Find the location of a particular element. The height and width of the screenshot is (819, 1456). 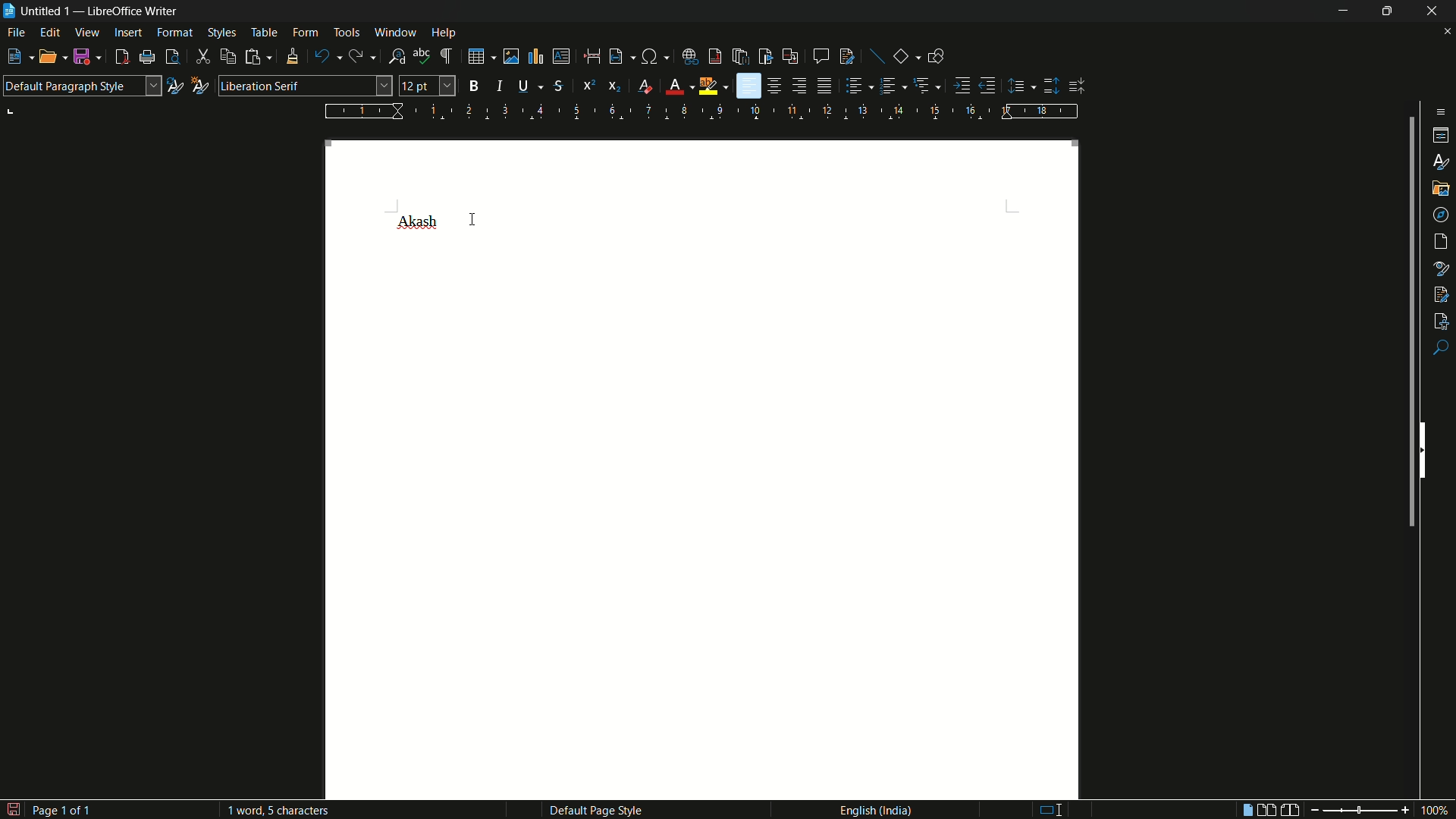

maximize or restore is located at coordinates (1386, 11).